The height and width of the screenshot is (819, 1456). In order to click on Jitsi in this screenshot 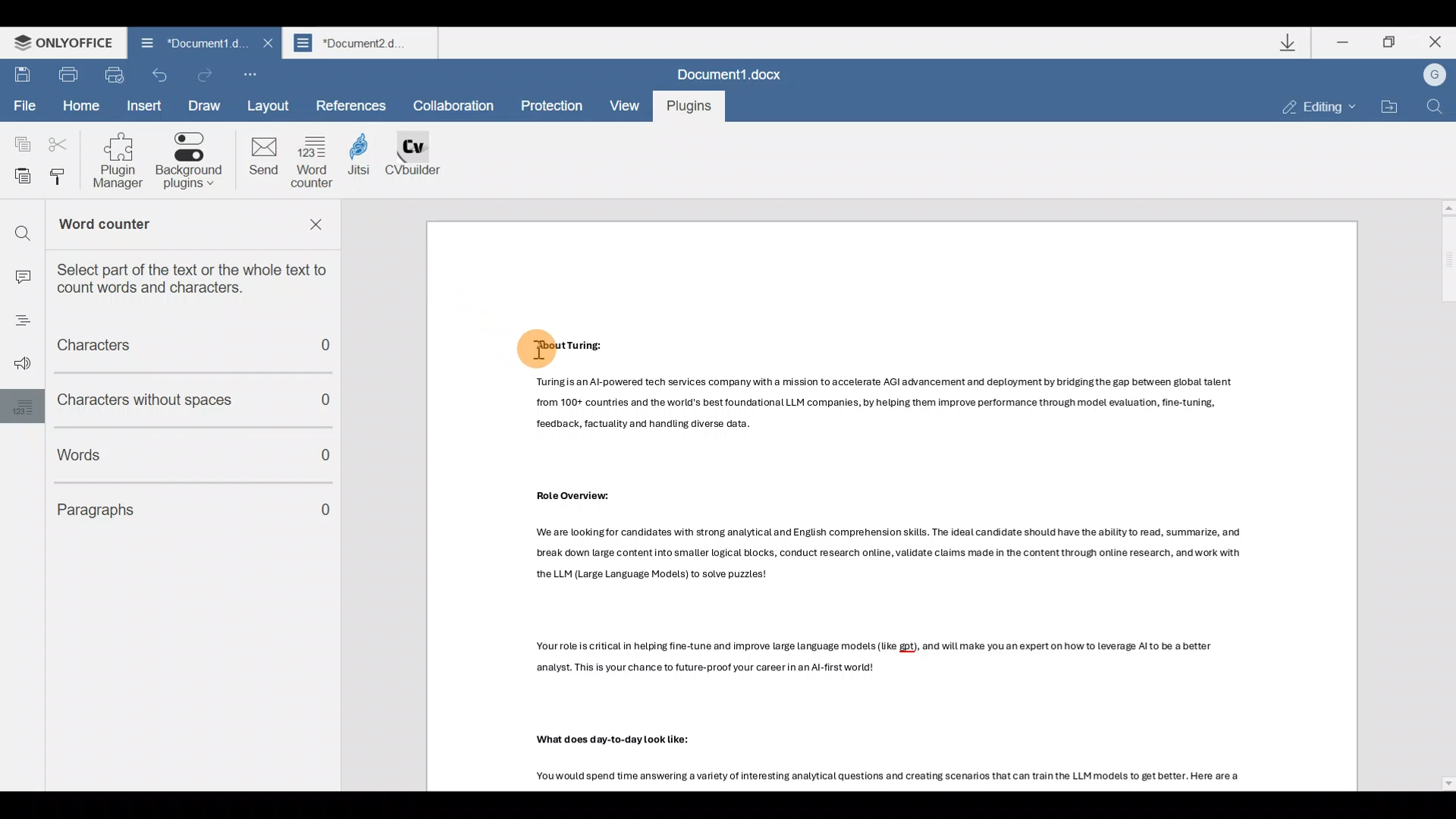, I will do `click(368, 165)`.